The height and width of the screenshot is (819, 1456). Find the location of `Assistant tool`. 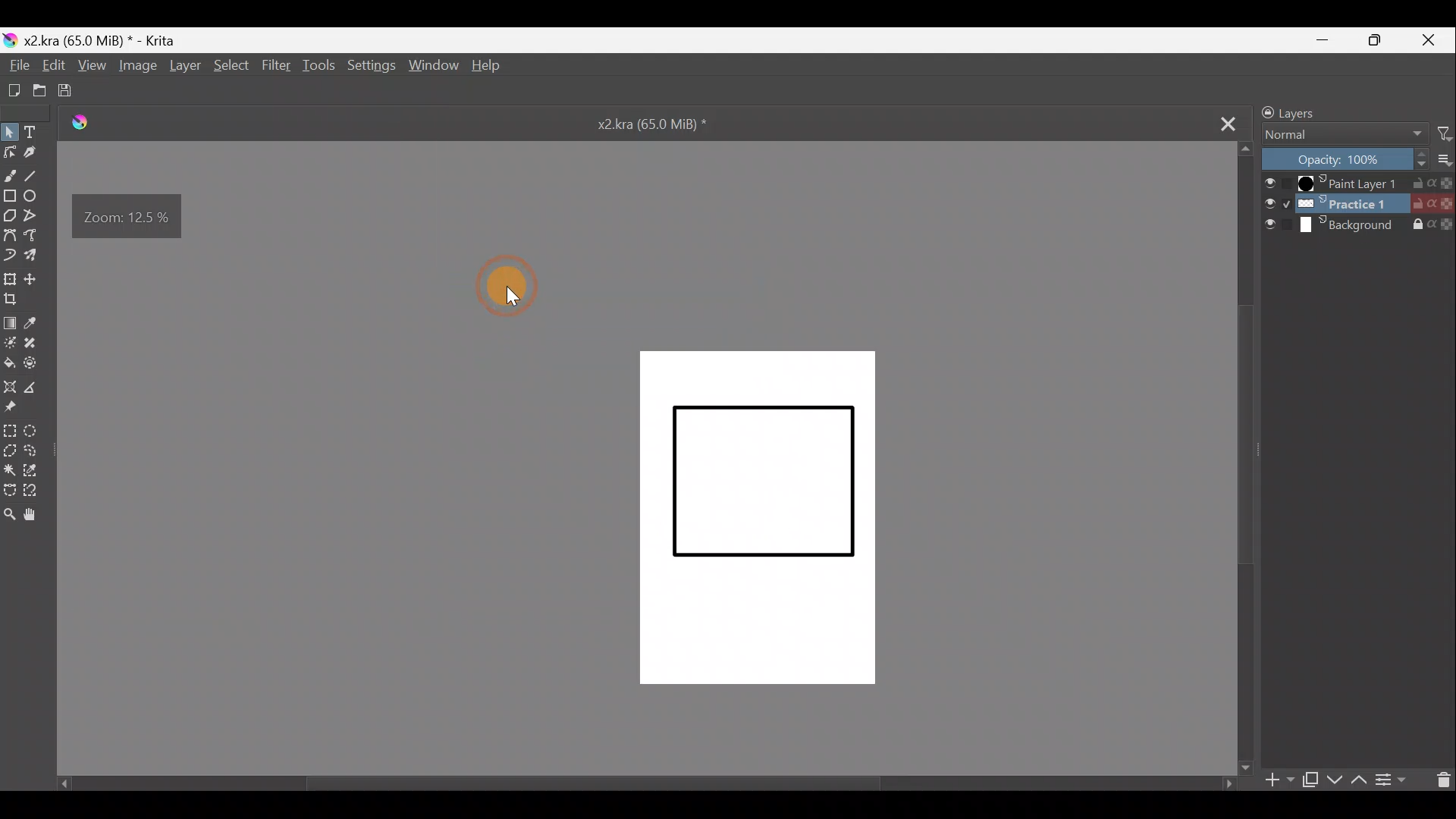

Assistant tool is located at coordinates (11, 385).